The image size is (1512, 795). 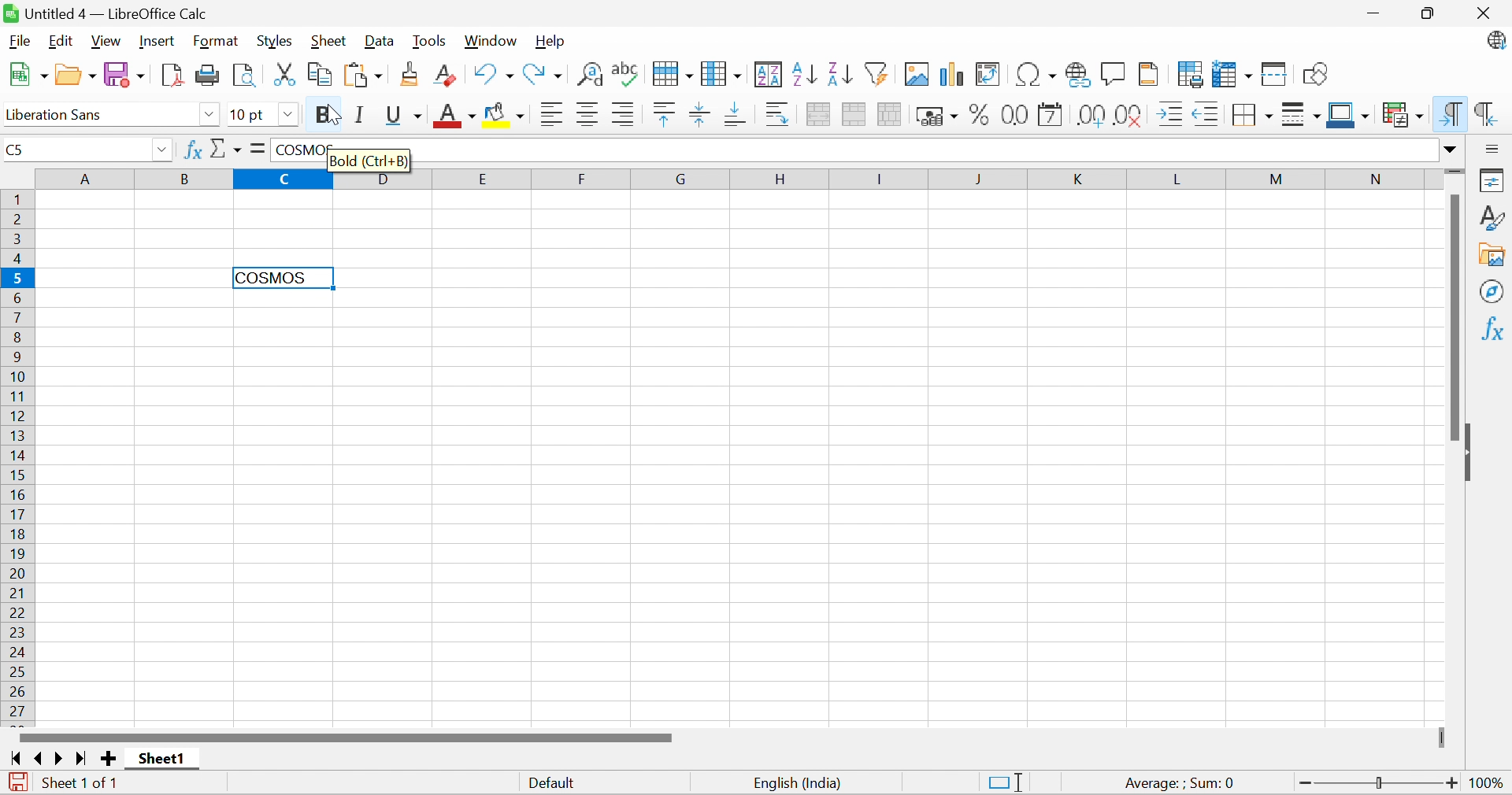 I want to click on Scroll To Previous Sheet, so click(x=39, y=758).